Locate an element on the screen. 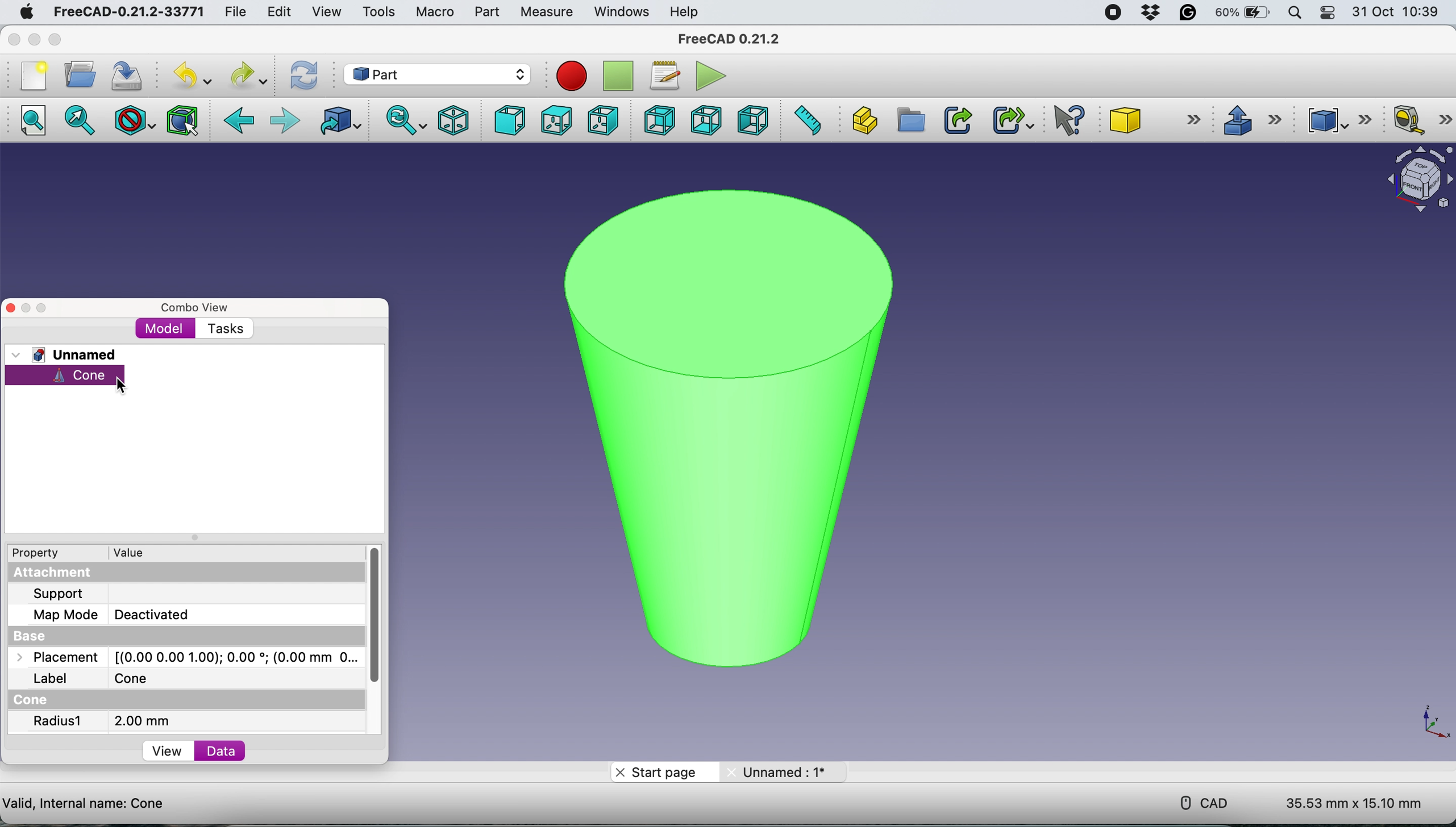 The height and width of the screenshot is (827, 1456). rear is located at coordinates (658, 122).